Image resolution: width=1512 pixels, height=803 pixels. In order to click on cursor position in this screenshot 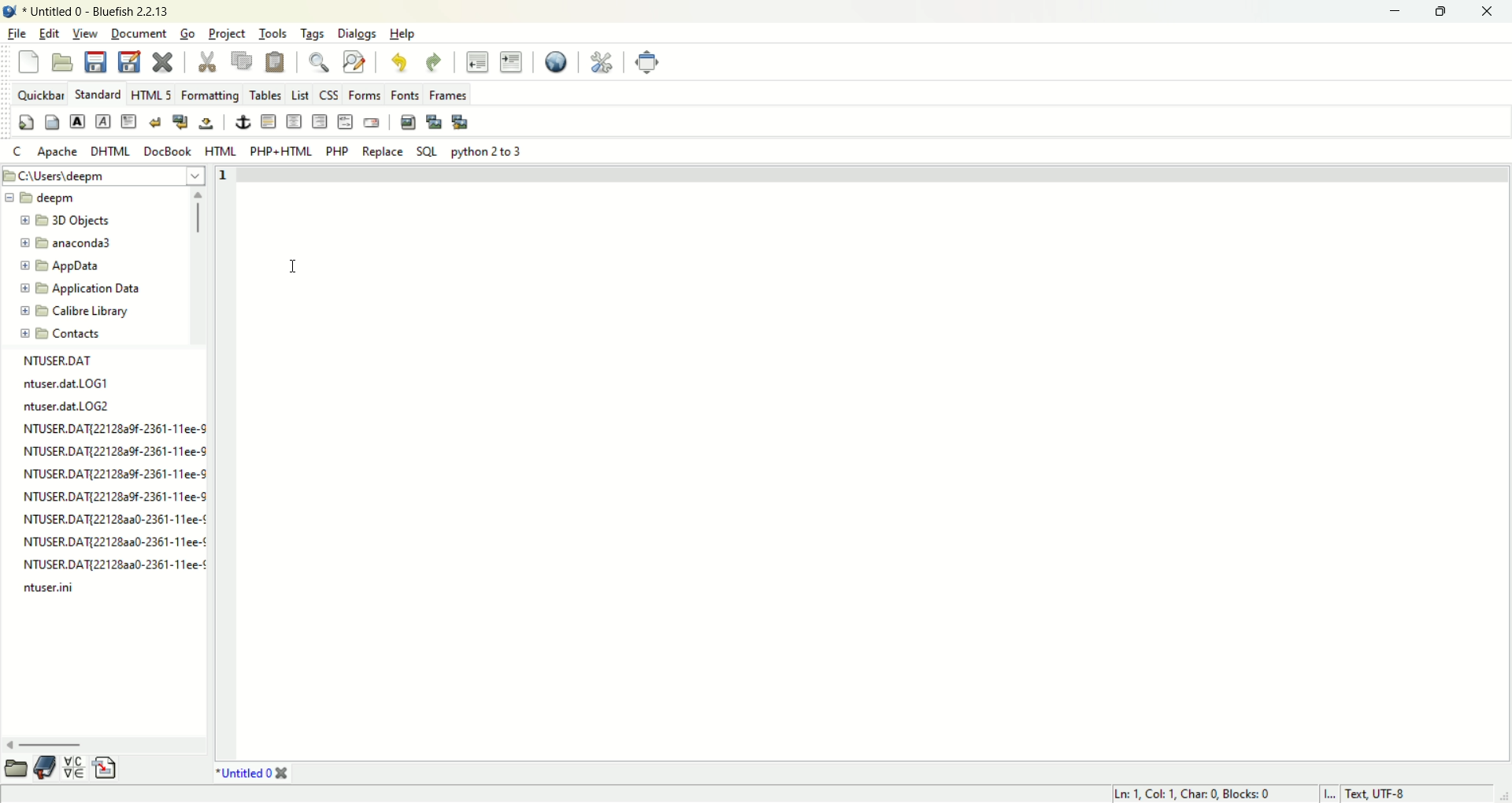, I will do `click(1213, 794)`.